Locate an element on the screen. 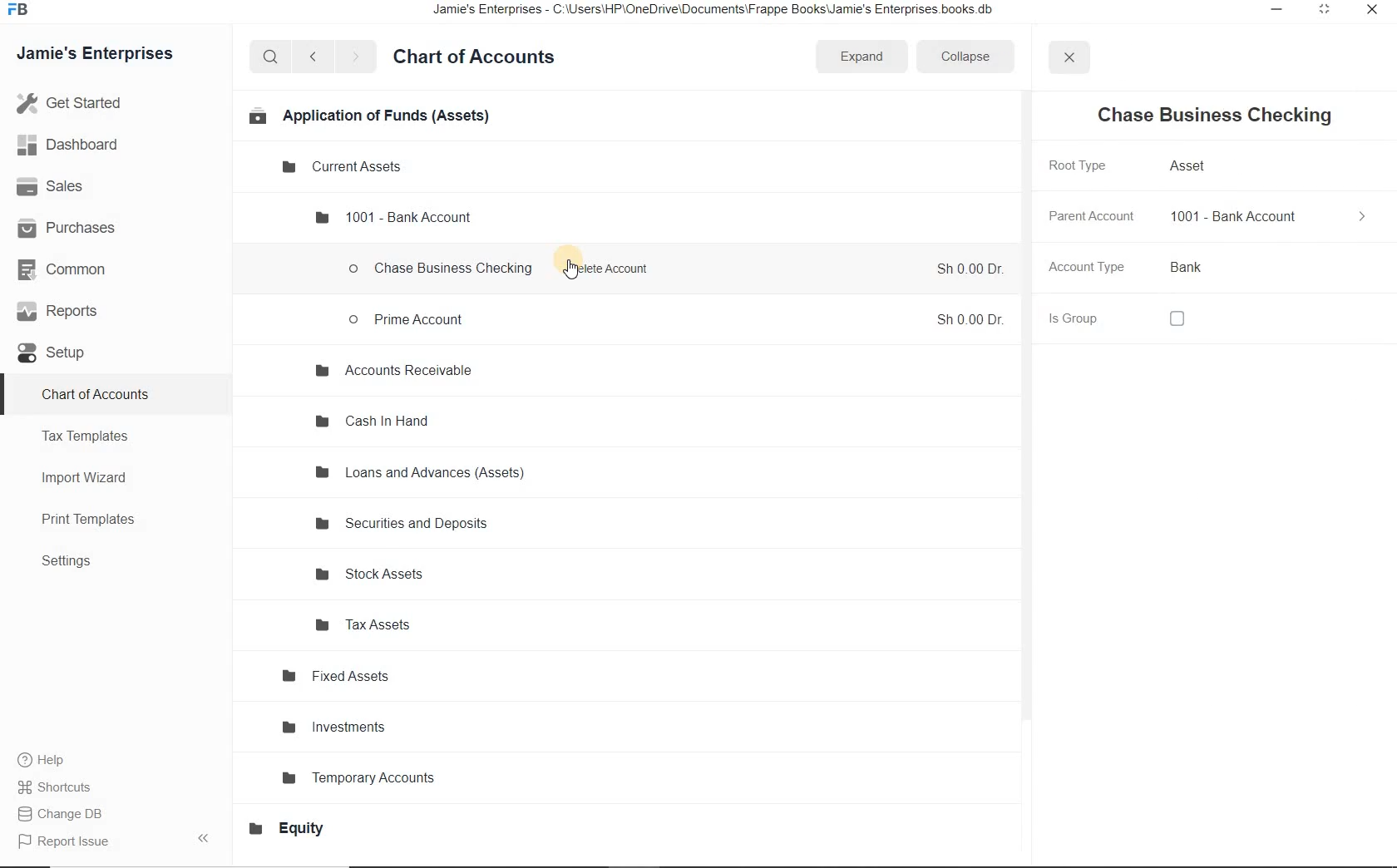   Setup is located at coordinates (63, 354).